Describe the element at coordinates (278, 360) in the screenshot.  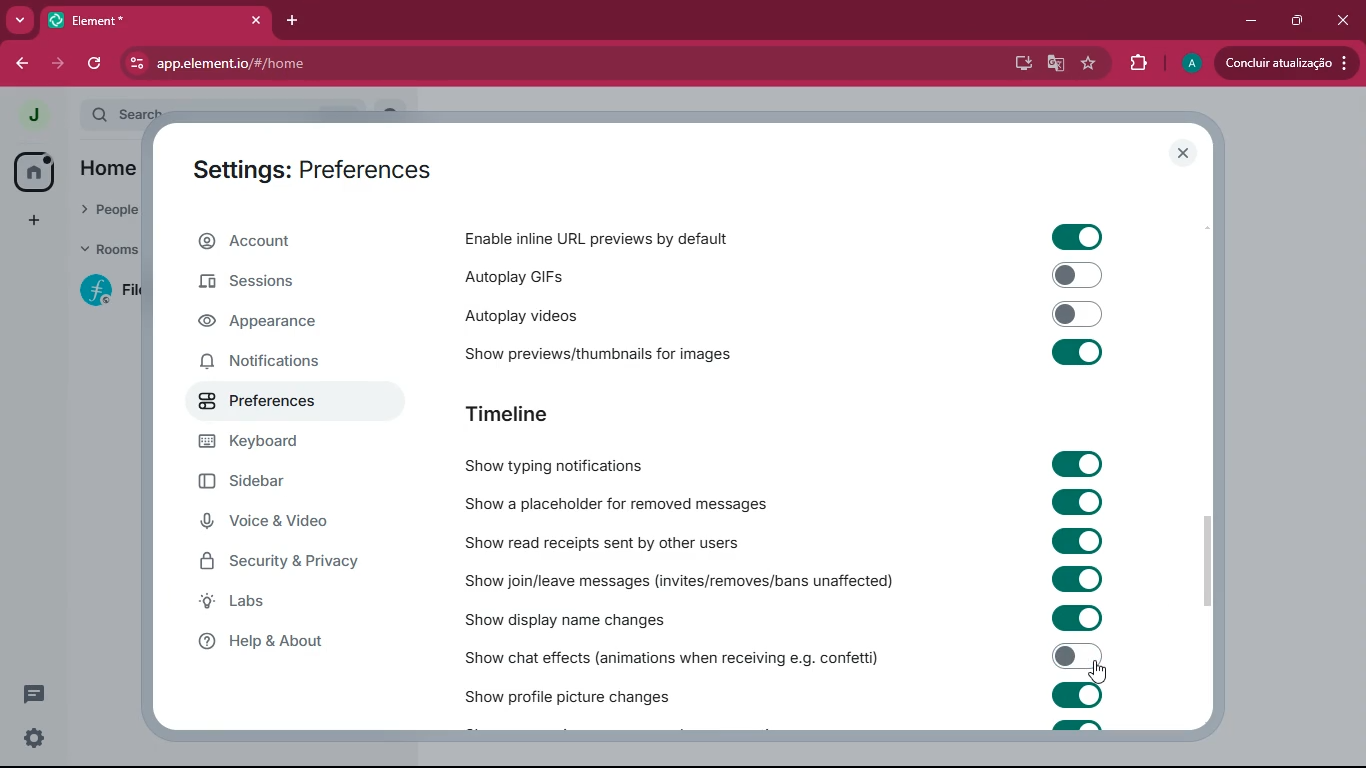
I see `notifications` at that location.